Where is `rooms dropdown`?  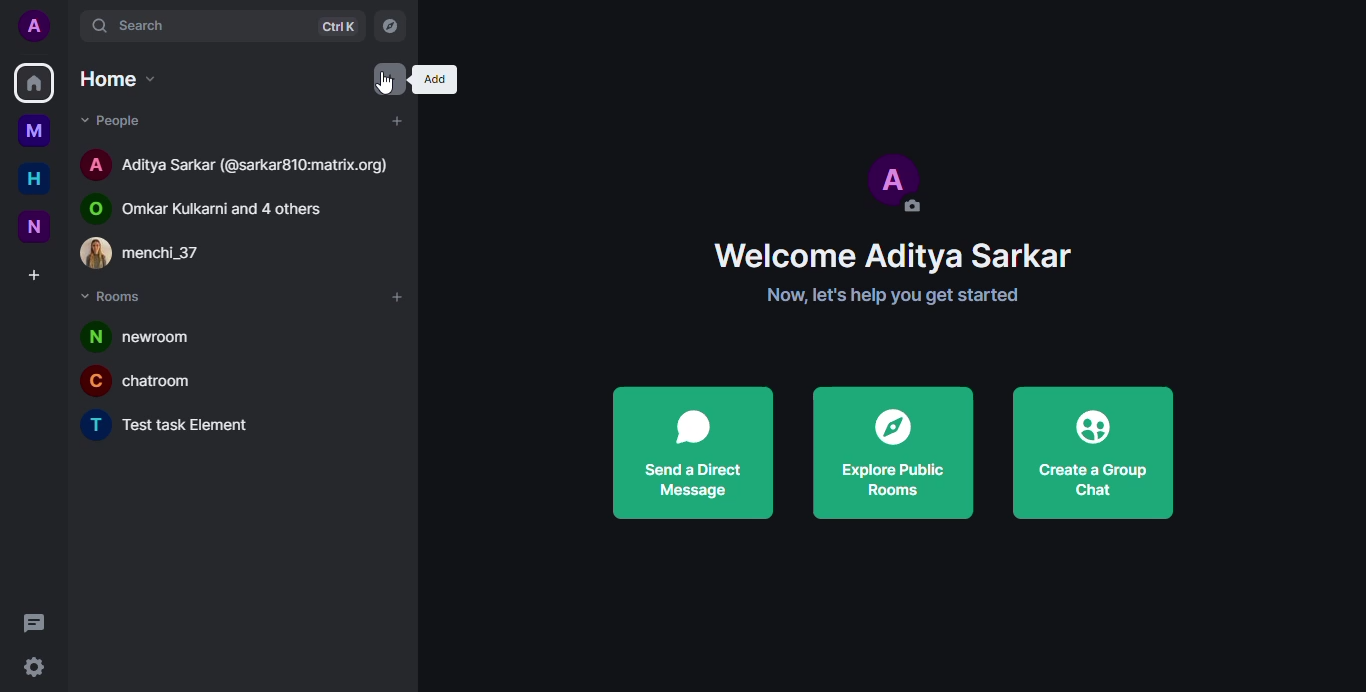 rooms dropdown is located at coordinates (121, 299).